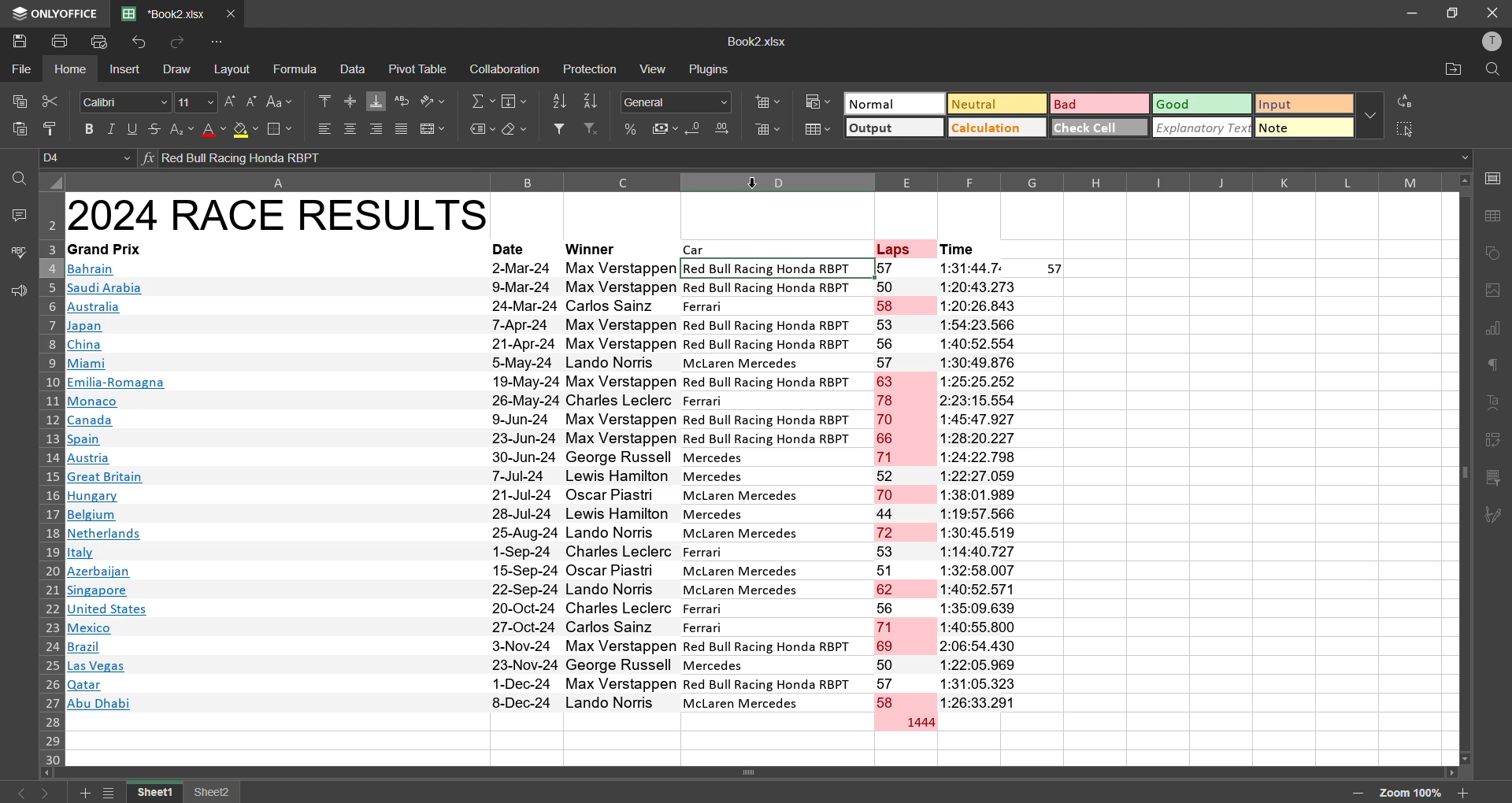 The image size is (1512, 803). Describe the element at coordinates (777, 485) in the screenshot. I see `car name` at that location.